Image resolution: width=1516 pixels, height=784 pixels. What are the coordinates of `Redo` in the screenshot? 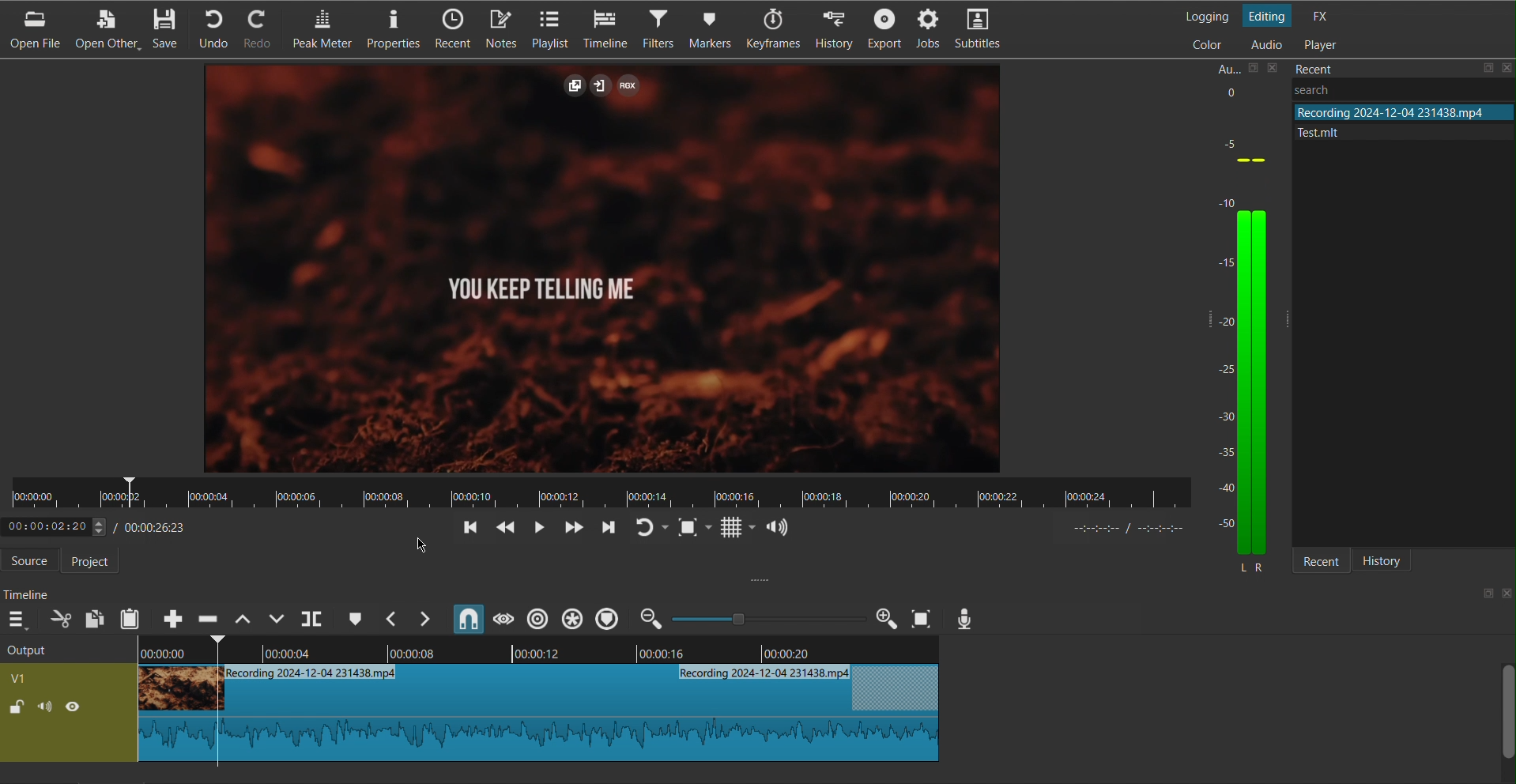 It's located at (264, 28).